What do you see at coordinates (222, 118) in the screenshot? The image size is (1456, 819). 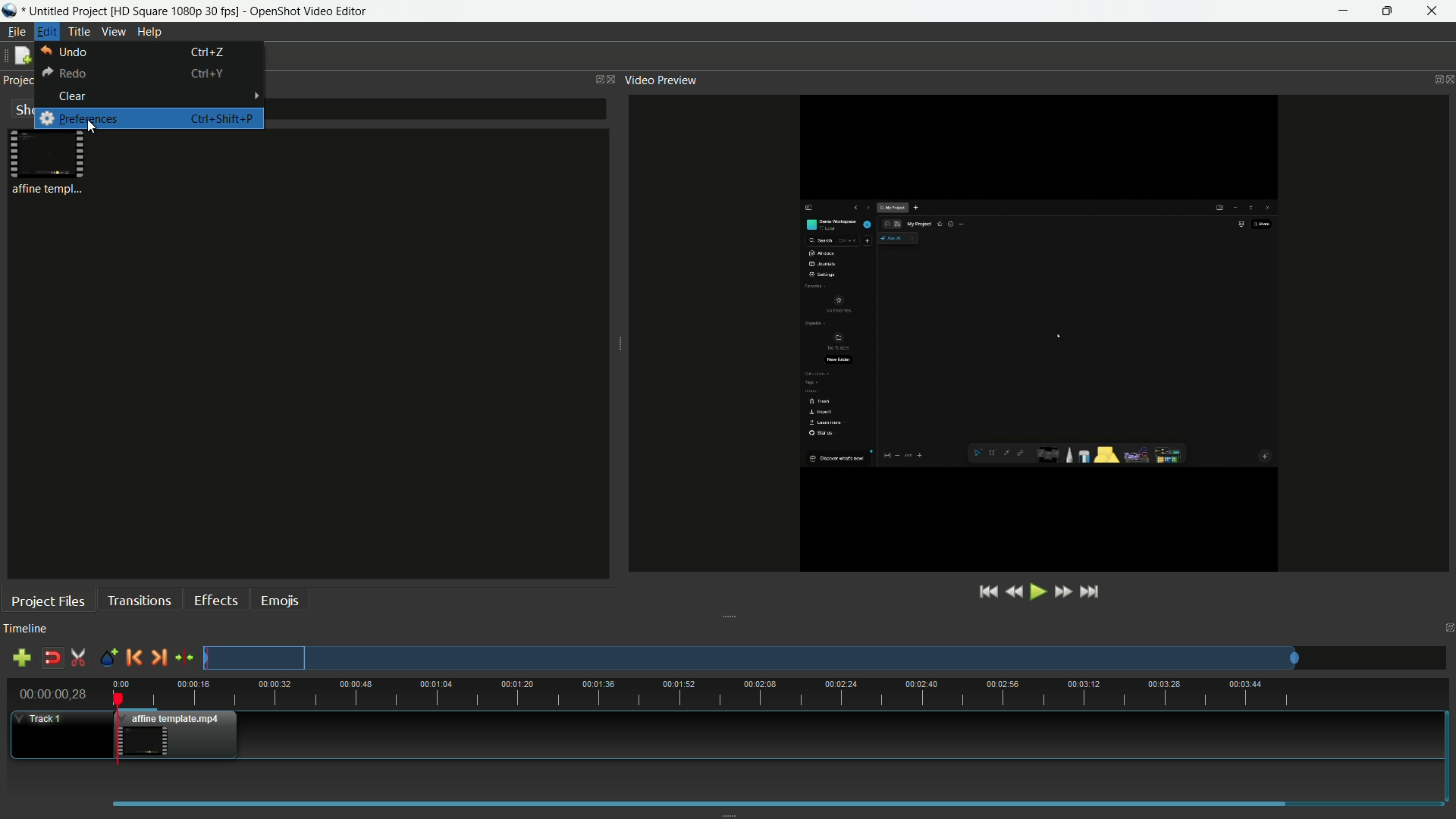 I see `keyboard shortcut` at bounding box center [222, 118].